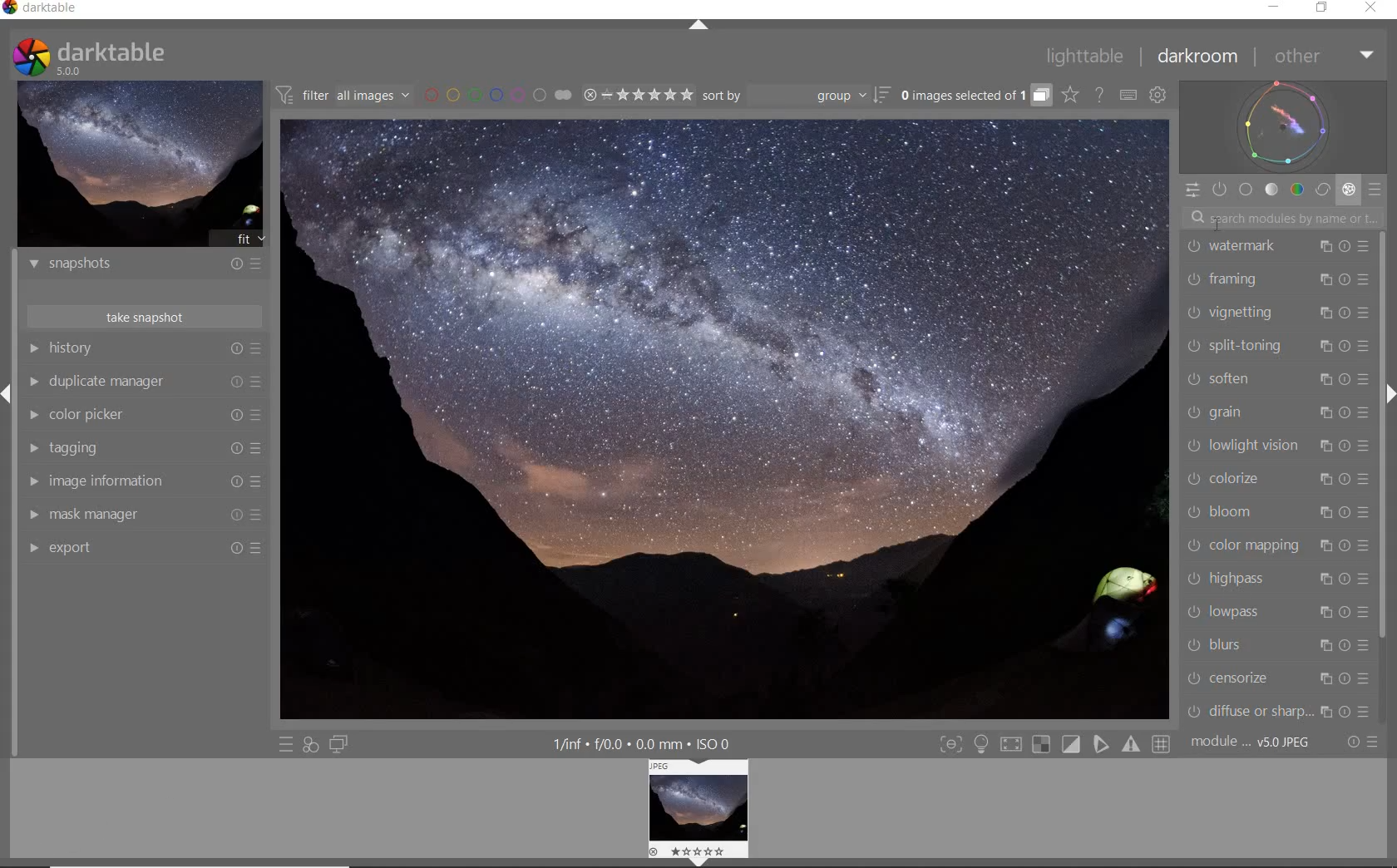 The image size is (1397, 868). I want to click on reset parameters, so click(1345, 344).